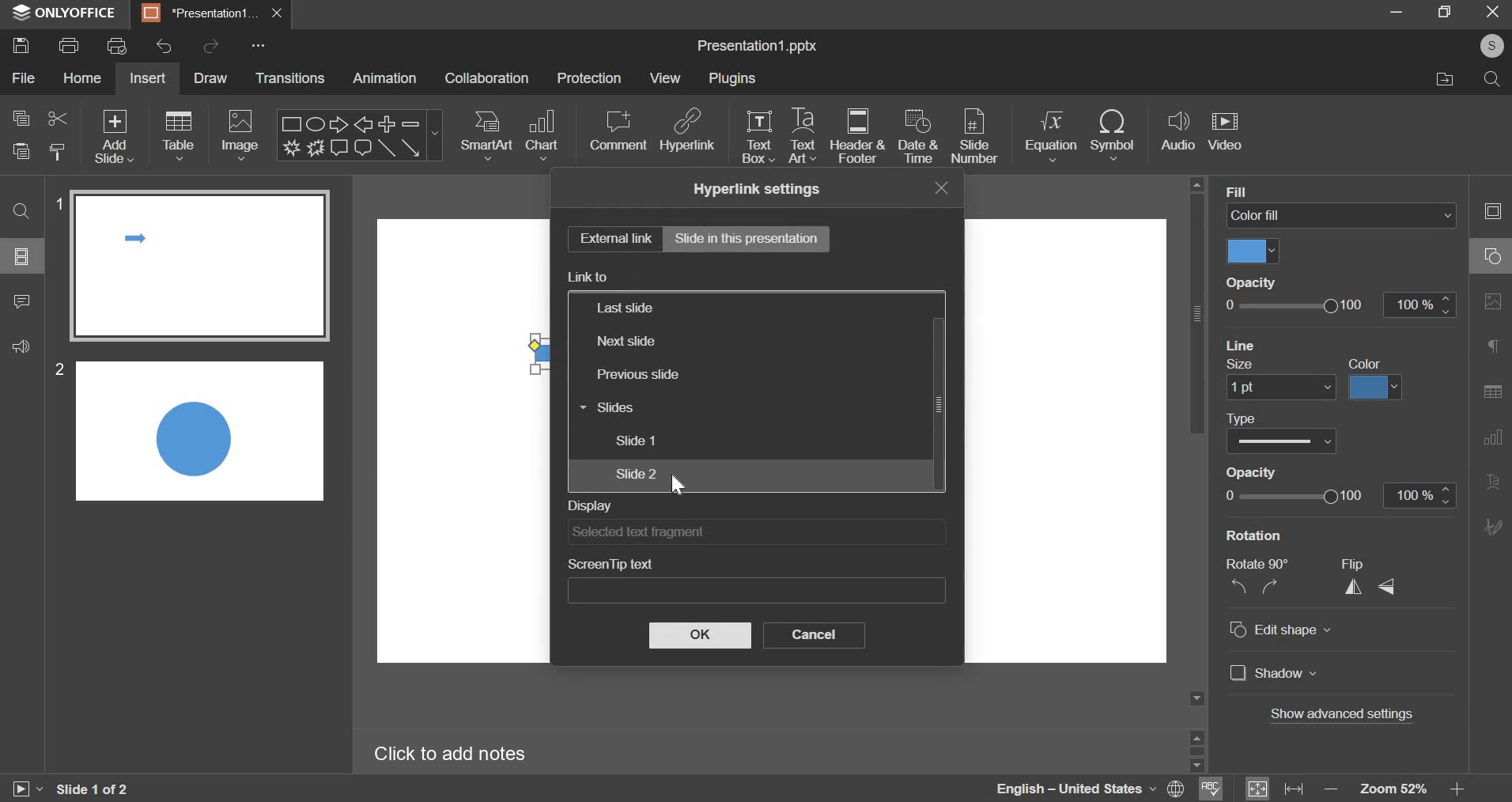 The width and height of the screenshot is (1512, 802). I want to click on slide 2 preview, so click(199, 431).